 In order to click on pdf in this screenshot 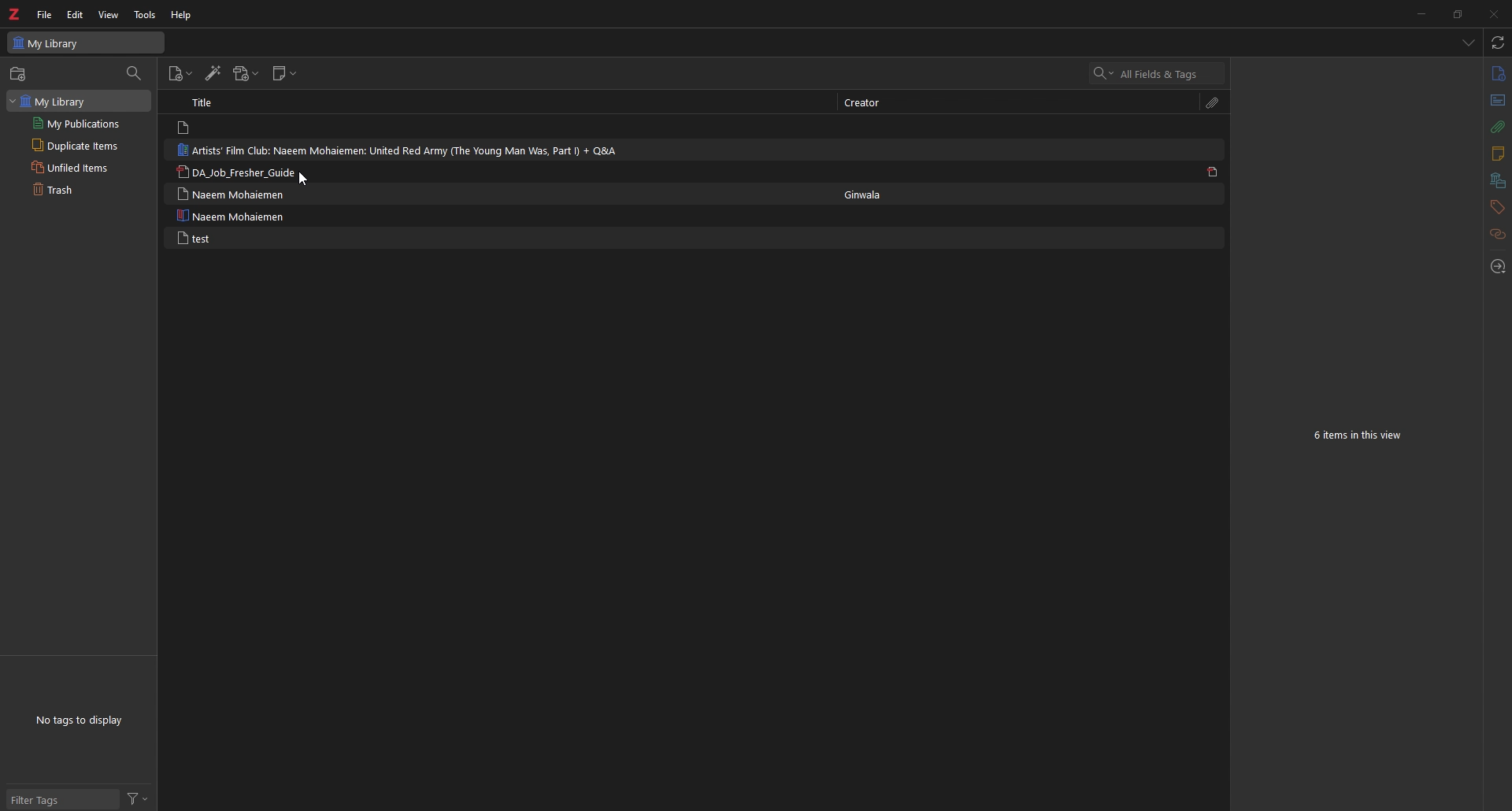, I will do `click(1212, 172)`.